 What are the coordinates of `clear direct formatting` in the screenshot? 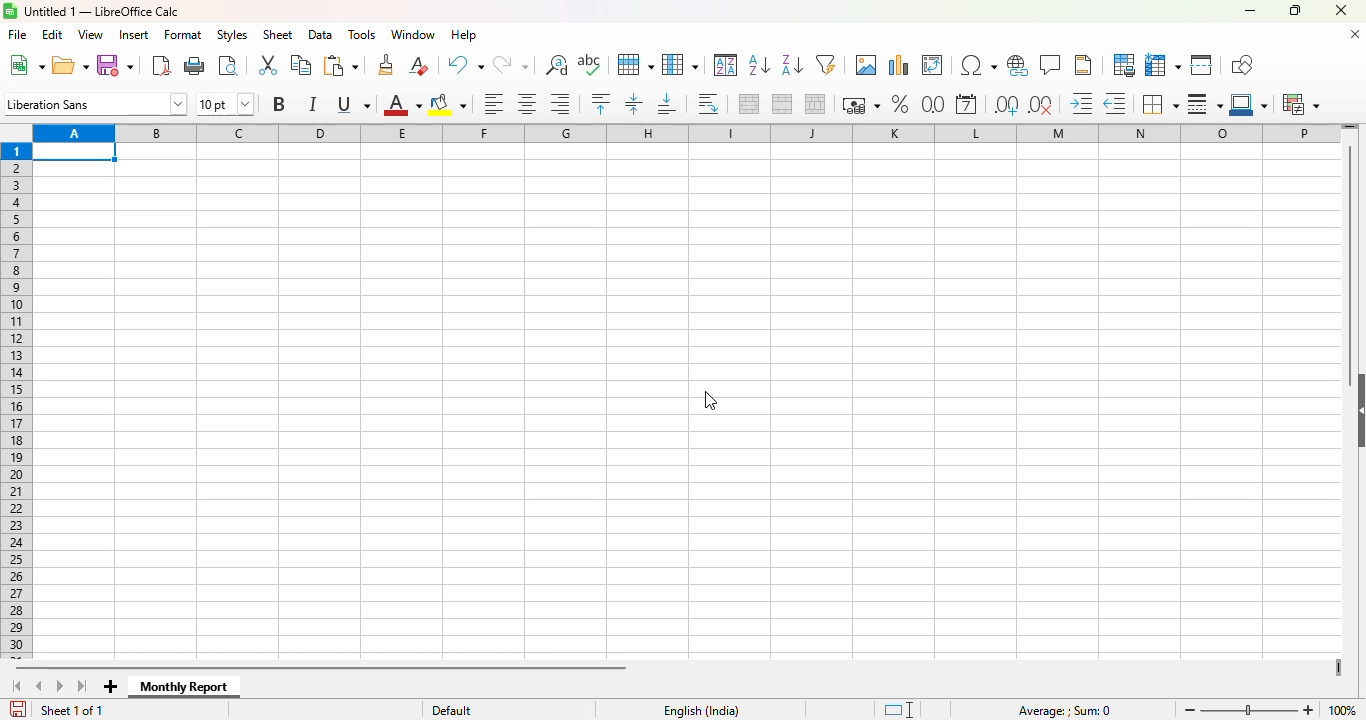 It's located at (418, 64).